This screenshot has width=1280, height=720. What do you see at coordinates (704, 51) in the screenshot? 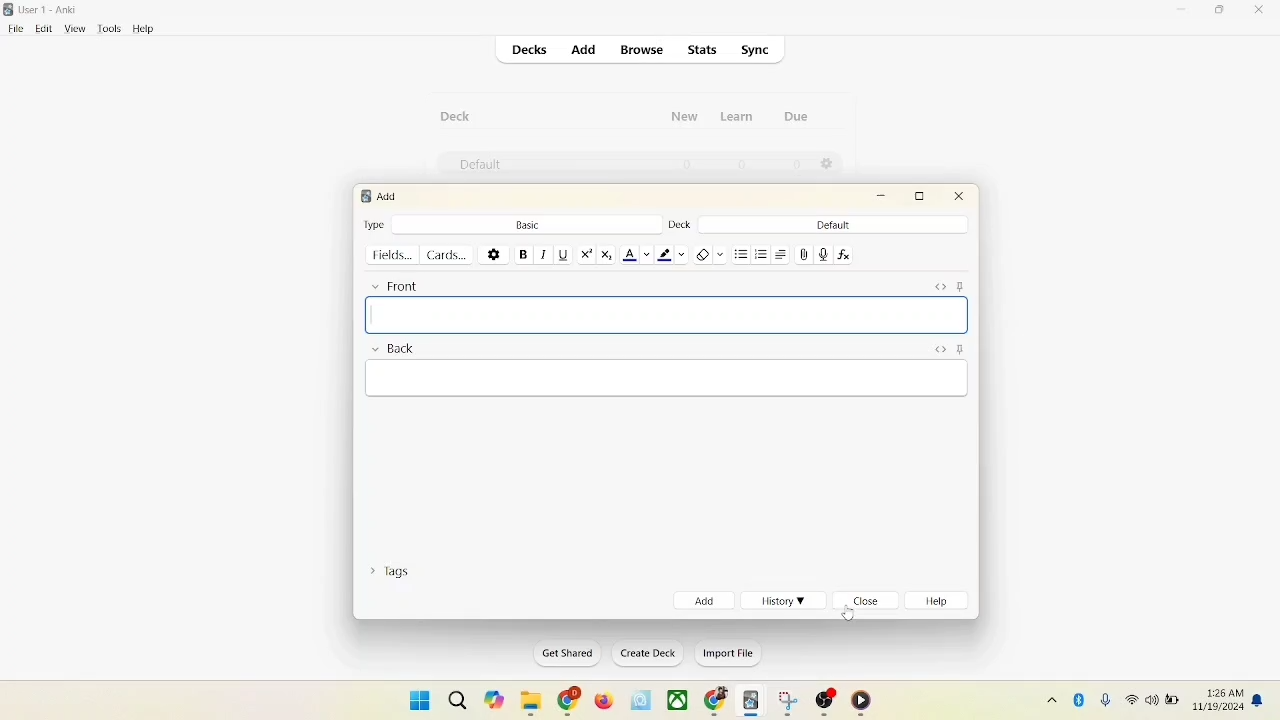
I see `stats` at bounding box center [704, 51].